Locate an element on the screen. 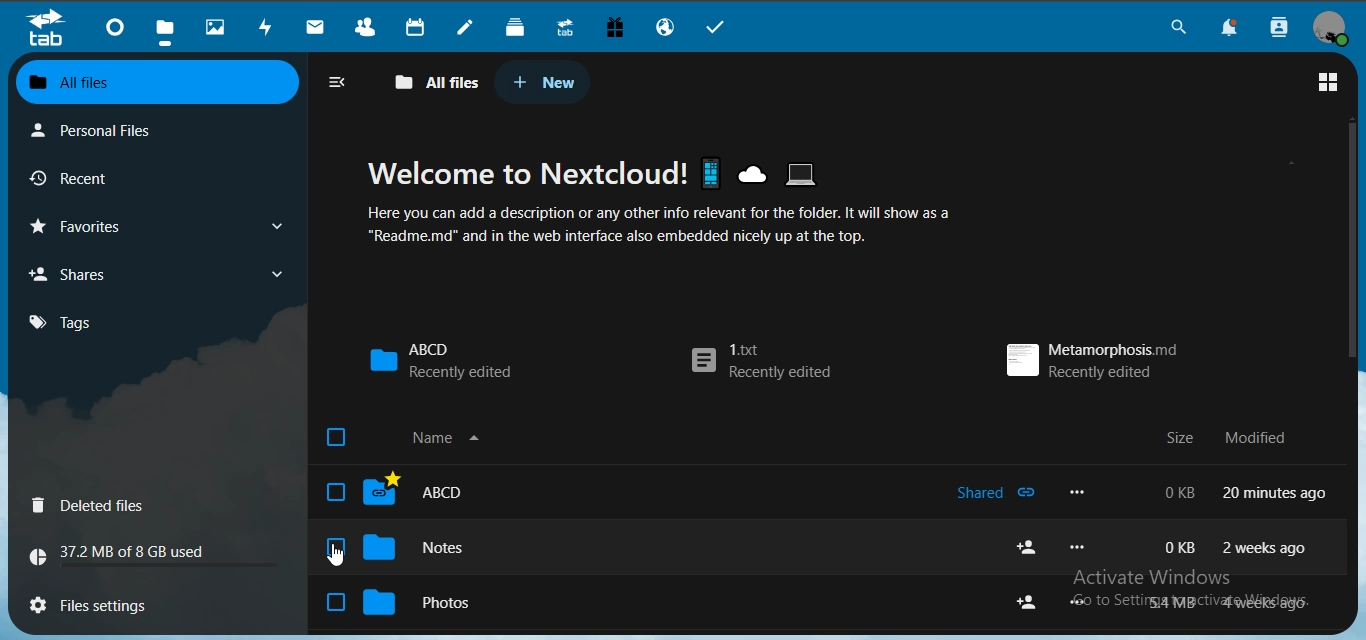 This screenshot has height=640, width=1366. tab is located at coordinates (47, 30).